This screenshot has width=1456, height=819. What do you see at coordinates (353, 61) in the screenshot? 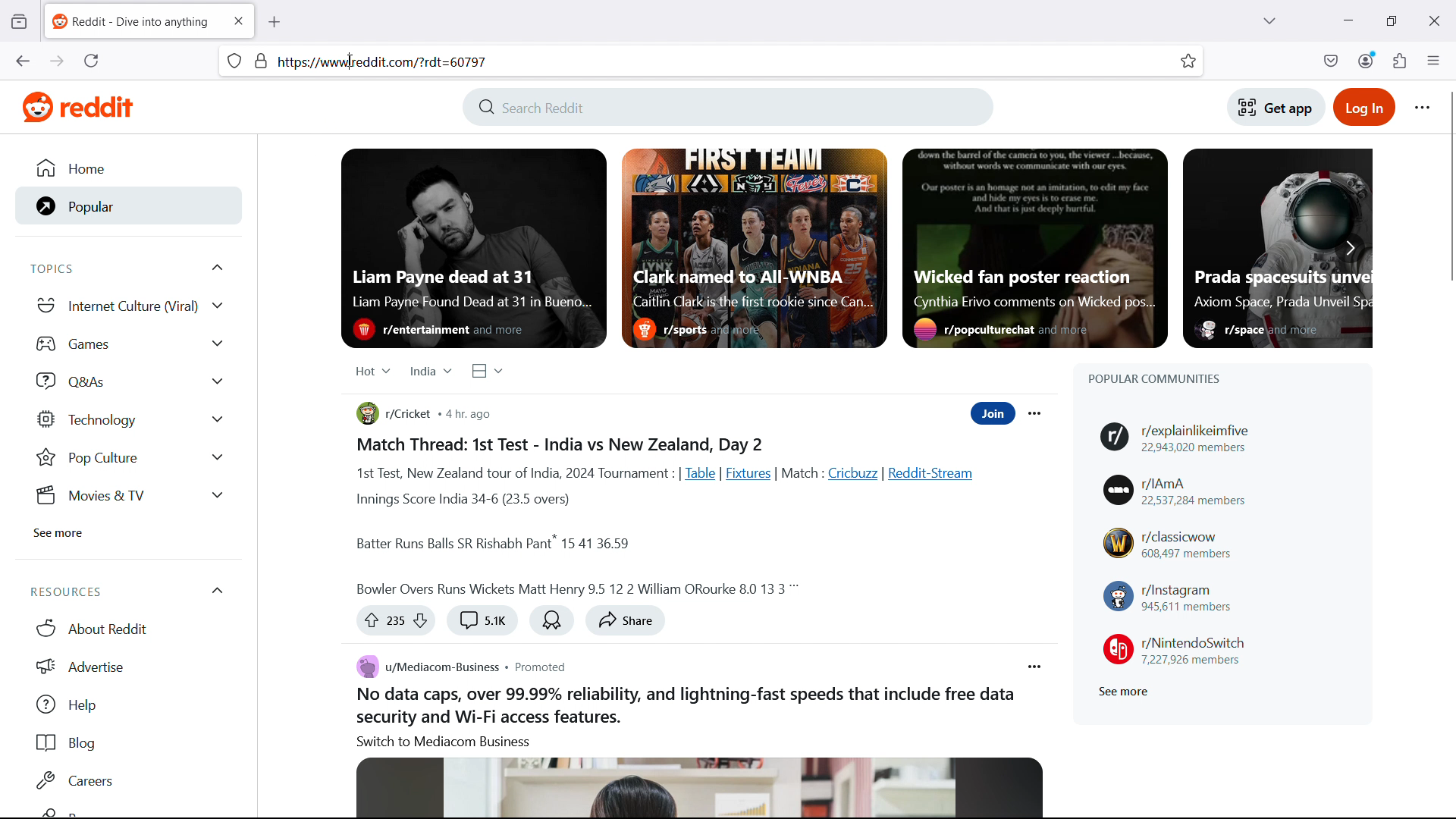
I see `cursor` at bounding box center [353, 61].